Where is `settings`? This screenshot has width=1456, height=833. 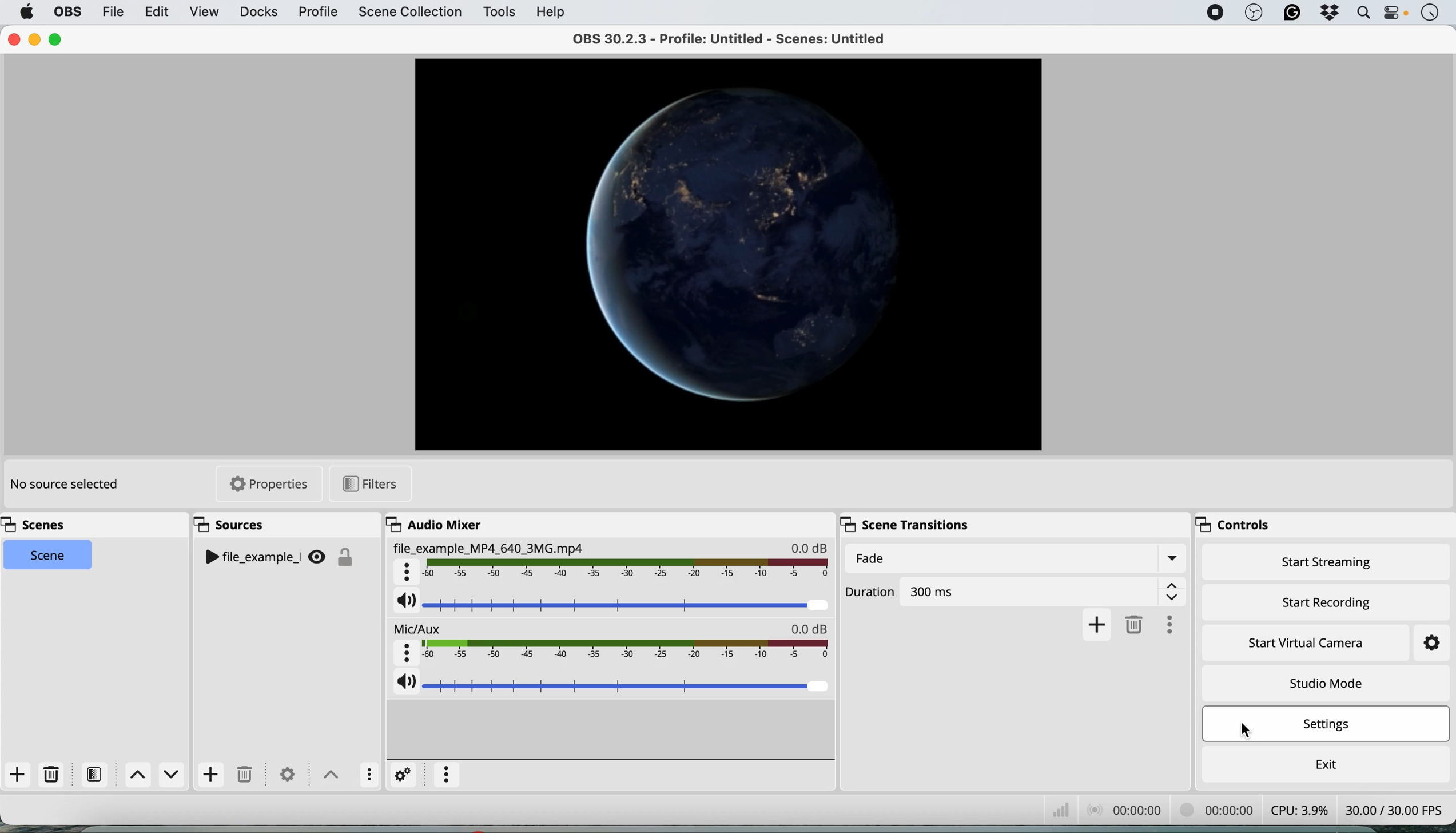
settings is located at coordinates (285, 770).